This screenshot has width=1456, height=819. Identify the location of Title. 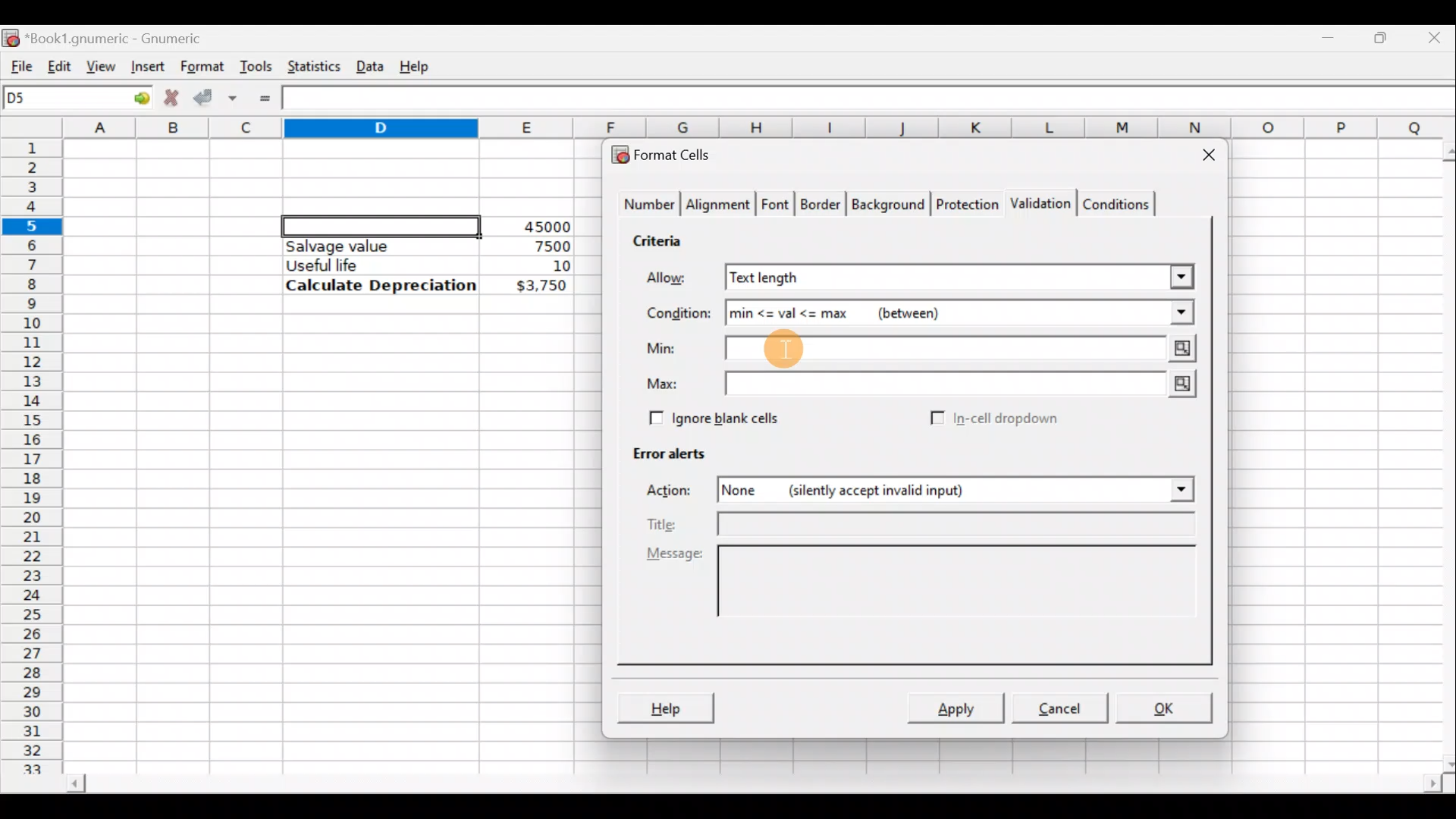
(922, 526).